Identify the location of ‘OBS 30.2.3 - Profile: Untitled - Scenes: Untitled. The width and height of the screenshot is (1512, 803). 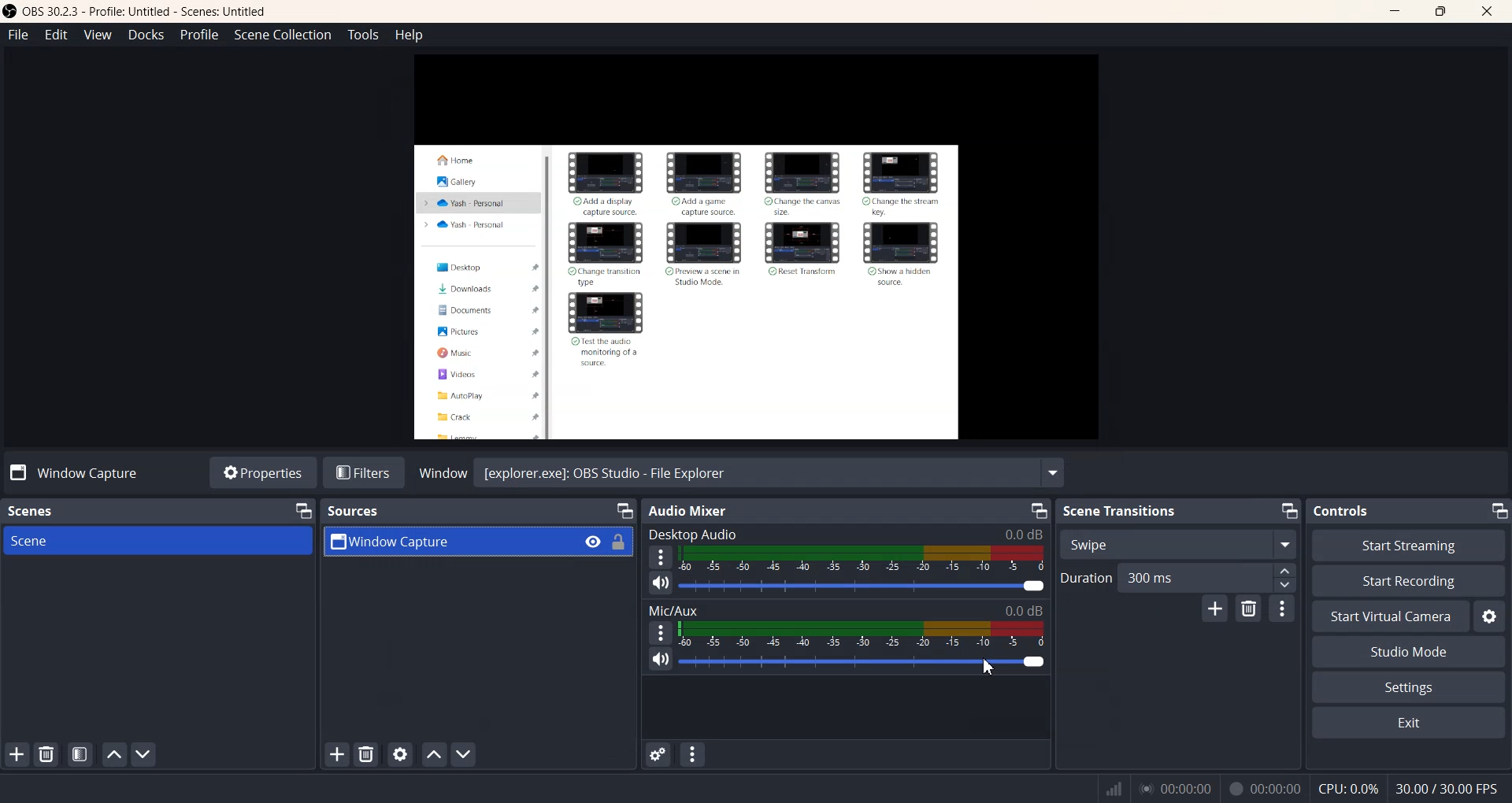
(137, 11).